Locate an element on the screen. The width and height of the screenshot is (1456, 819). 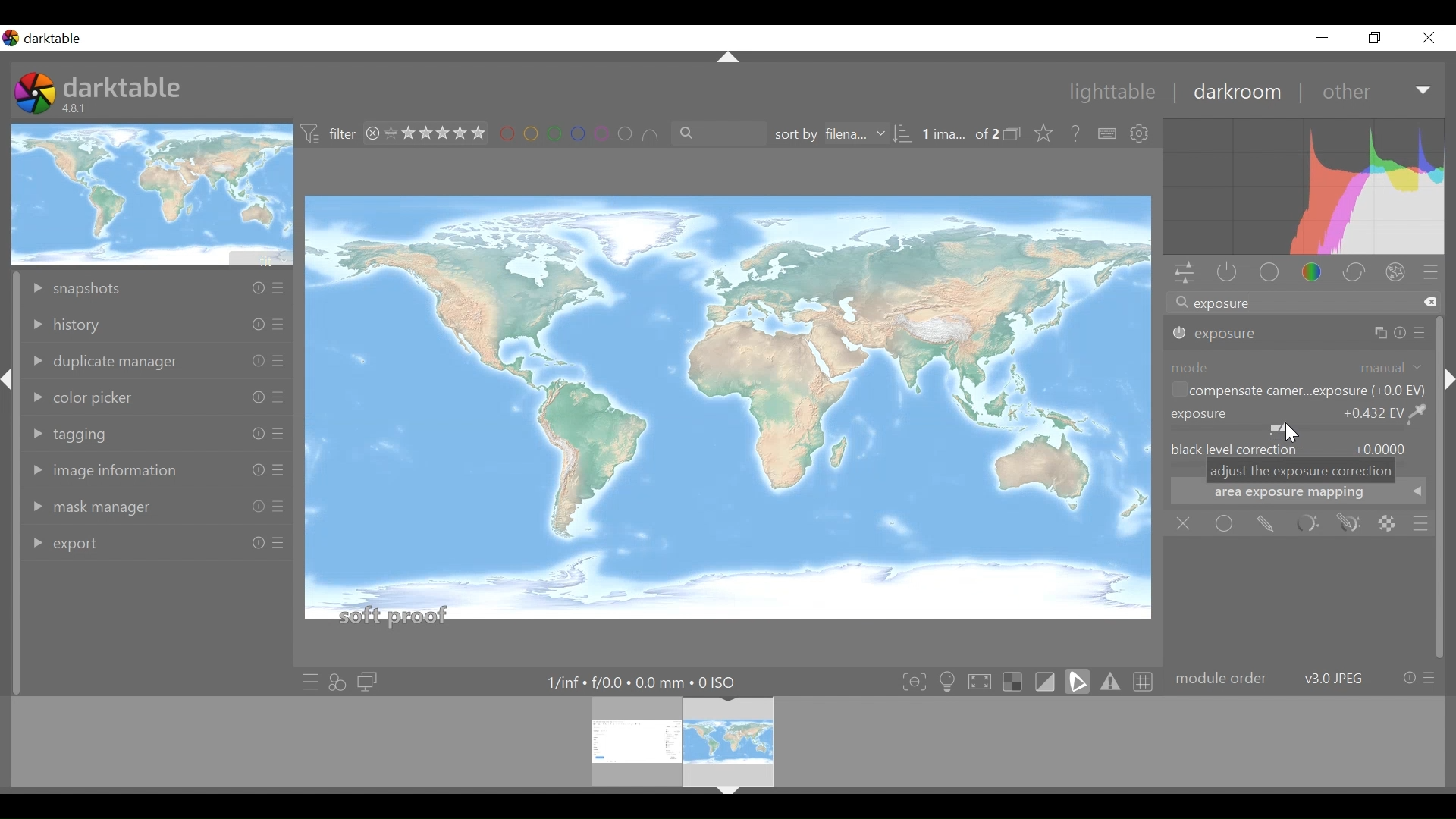
export is located at coordinates (75, 541).